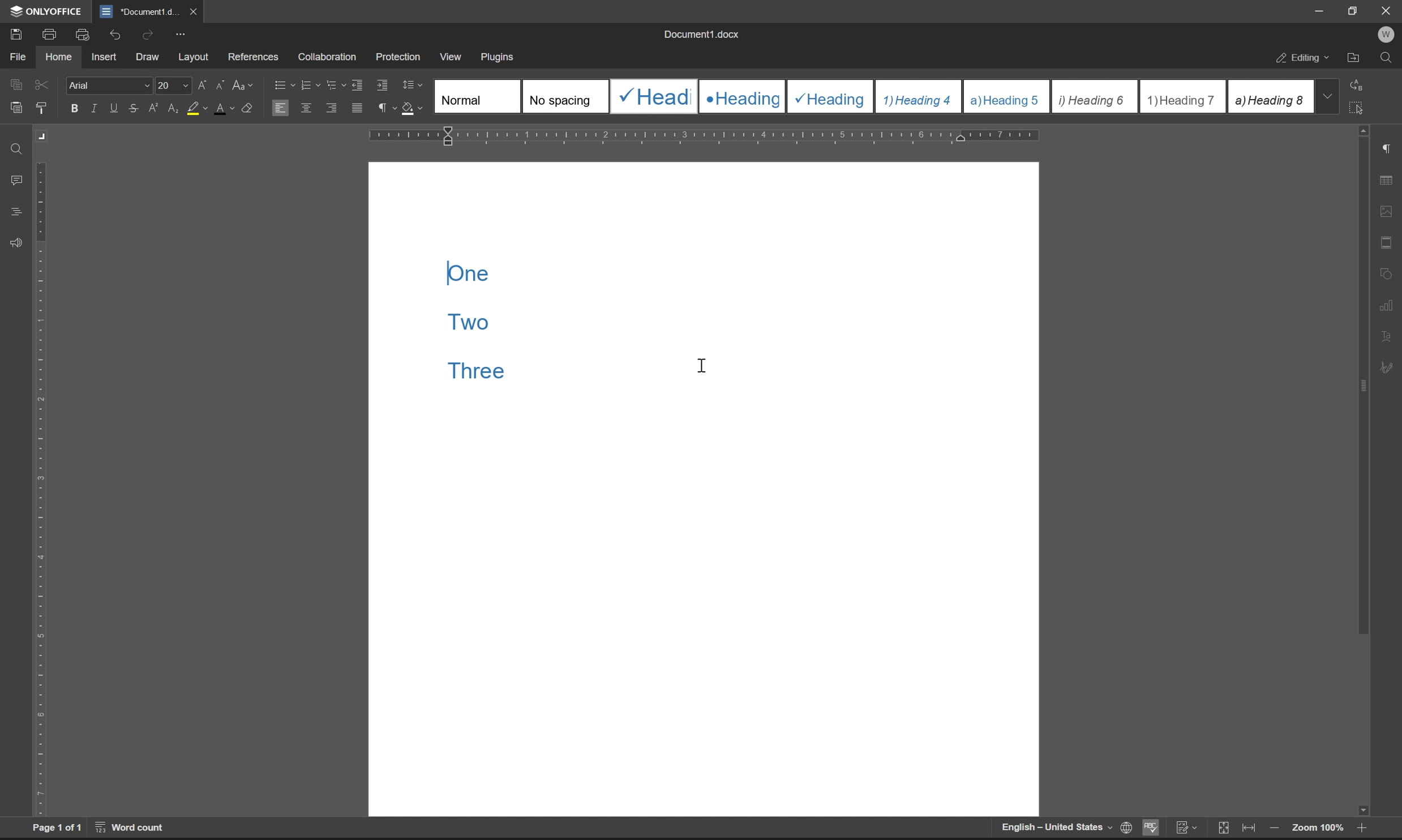 The image size is (1402, 840). What do you see at coordinates (1274, 829) in the screenshot?
I see `zoom out` at bounding box center [1274, 829].